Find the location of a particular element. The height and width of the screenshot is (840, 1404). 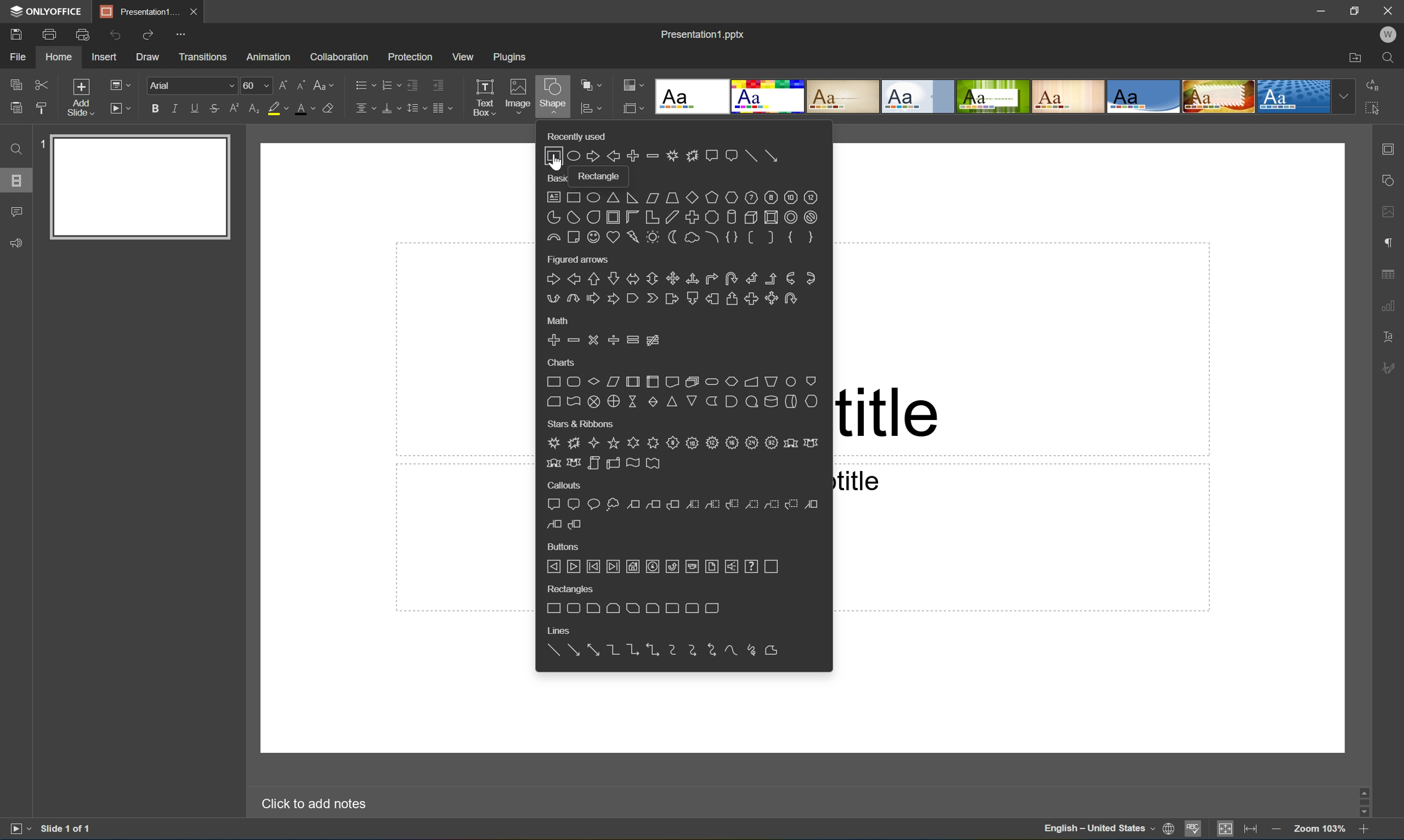

Change case is located at coordinates (327, 85).